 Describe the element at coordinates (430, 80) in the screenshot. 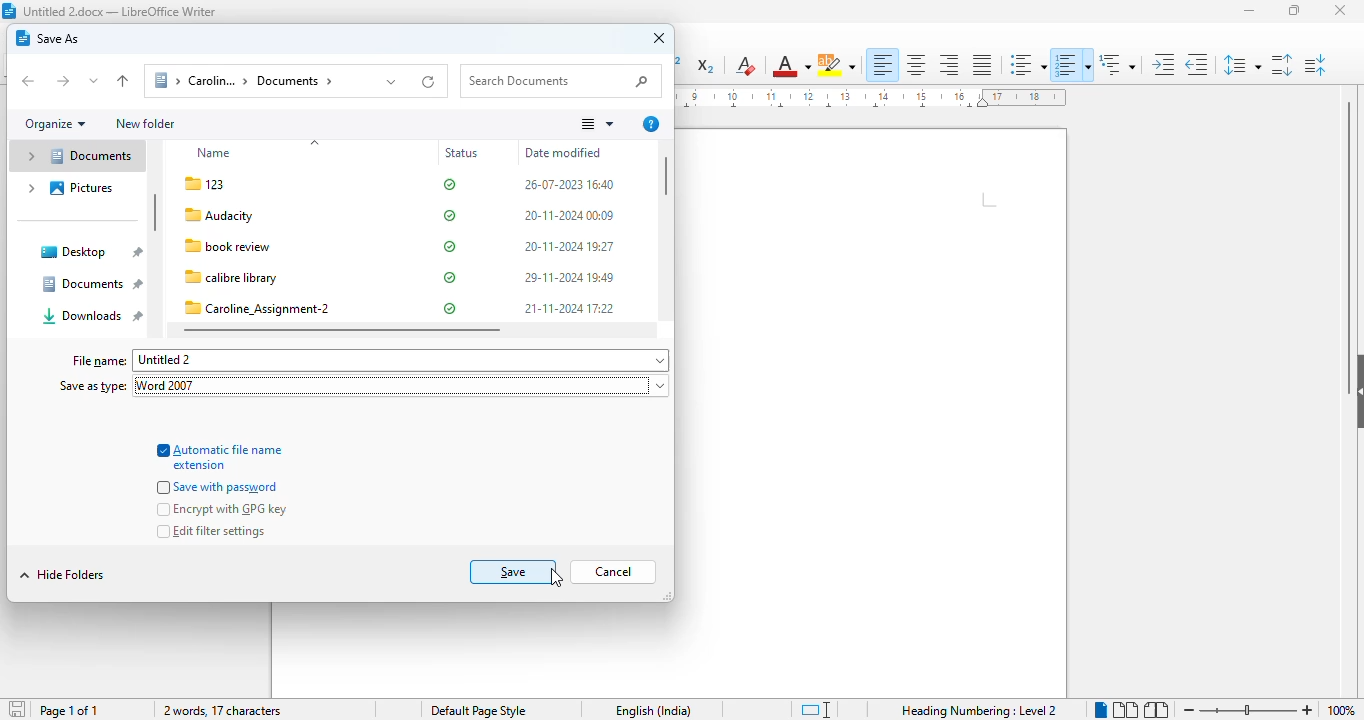

I see `refresh "documents"` at that location.